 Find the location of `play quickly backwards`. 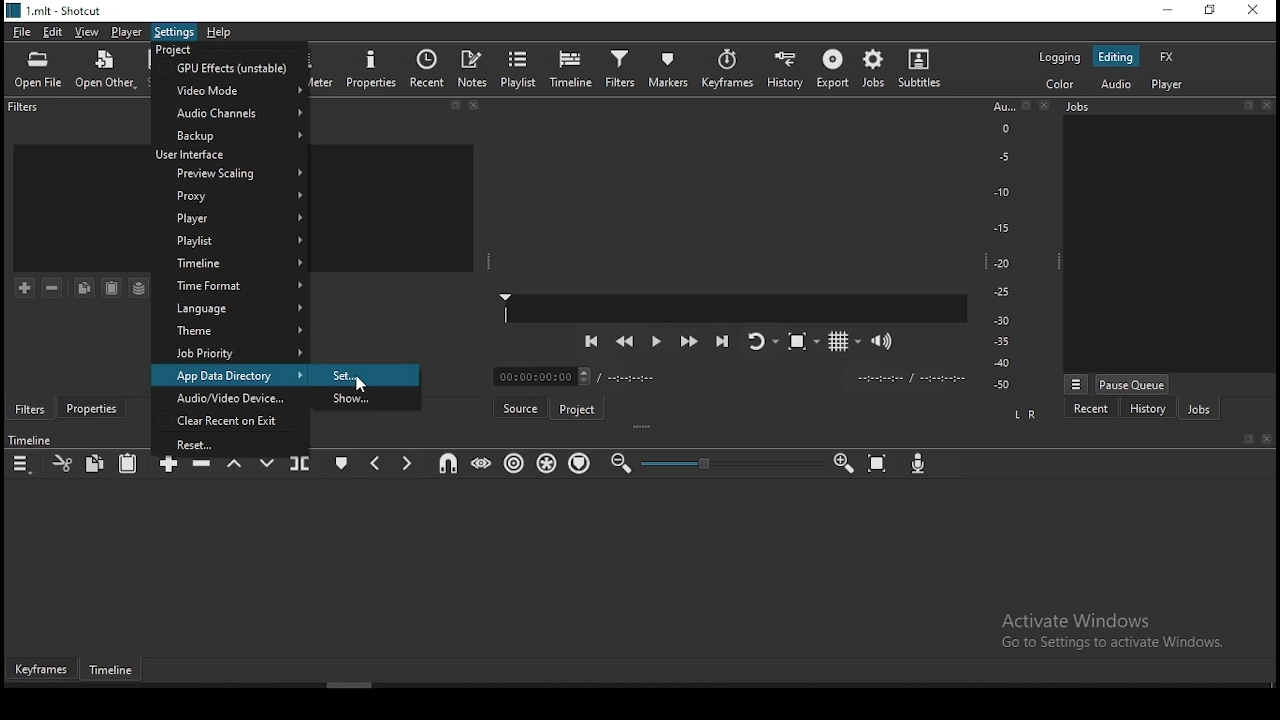

play quickly backwards is located at coordinates (624, 344).